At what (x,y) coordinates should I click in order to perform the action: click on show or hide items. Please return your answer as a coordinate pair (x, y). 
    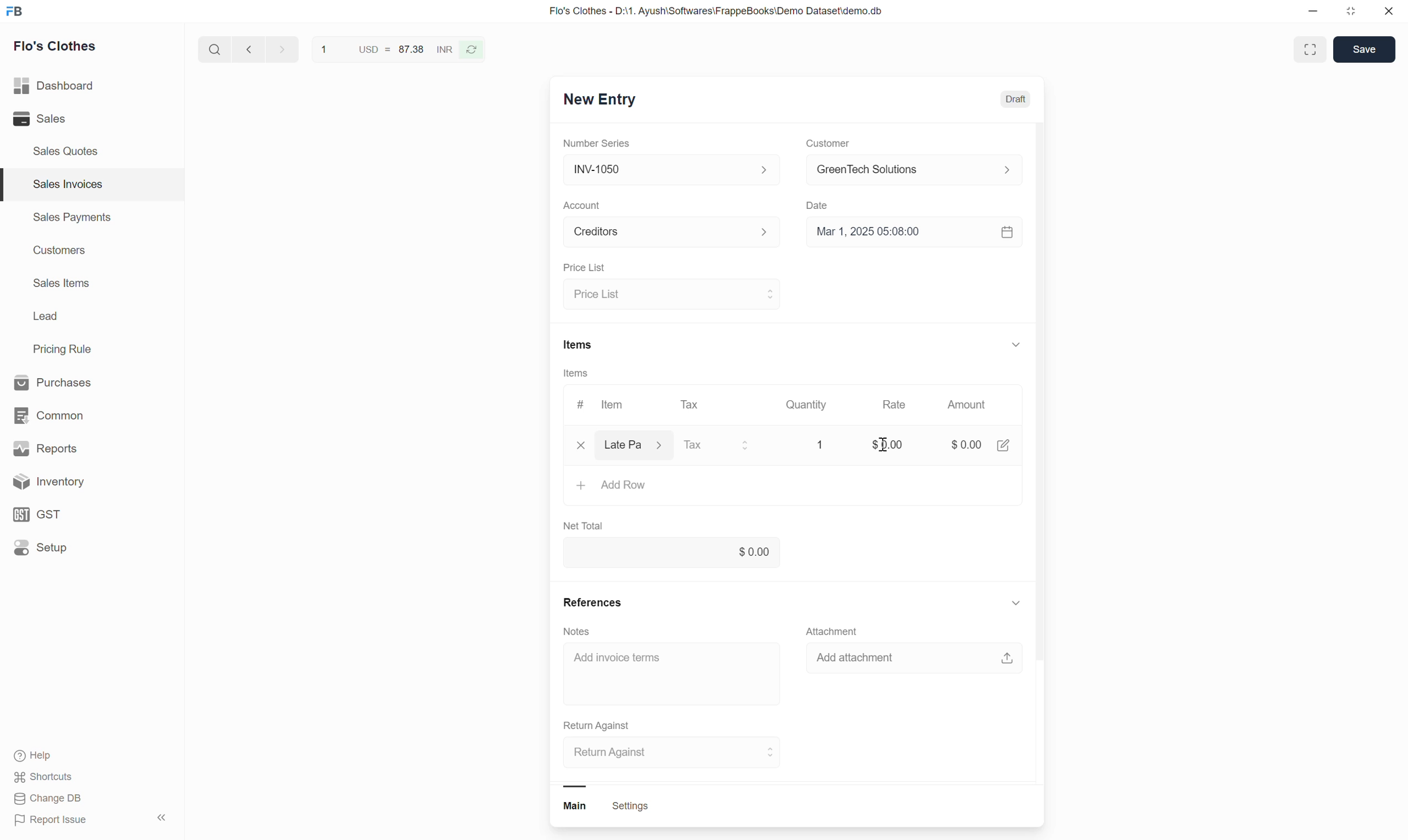
    Looking at the image, I should click on (1016, 342).